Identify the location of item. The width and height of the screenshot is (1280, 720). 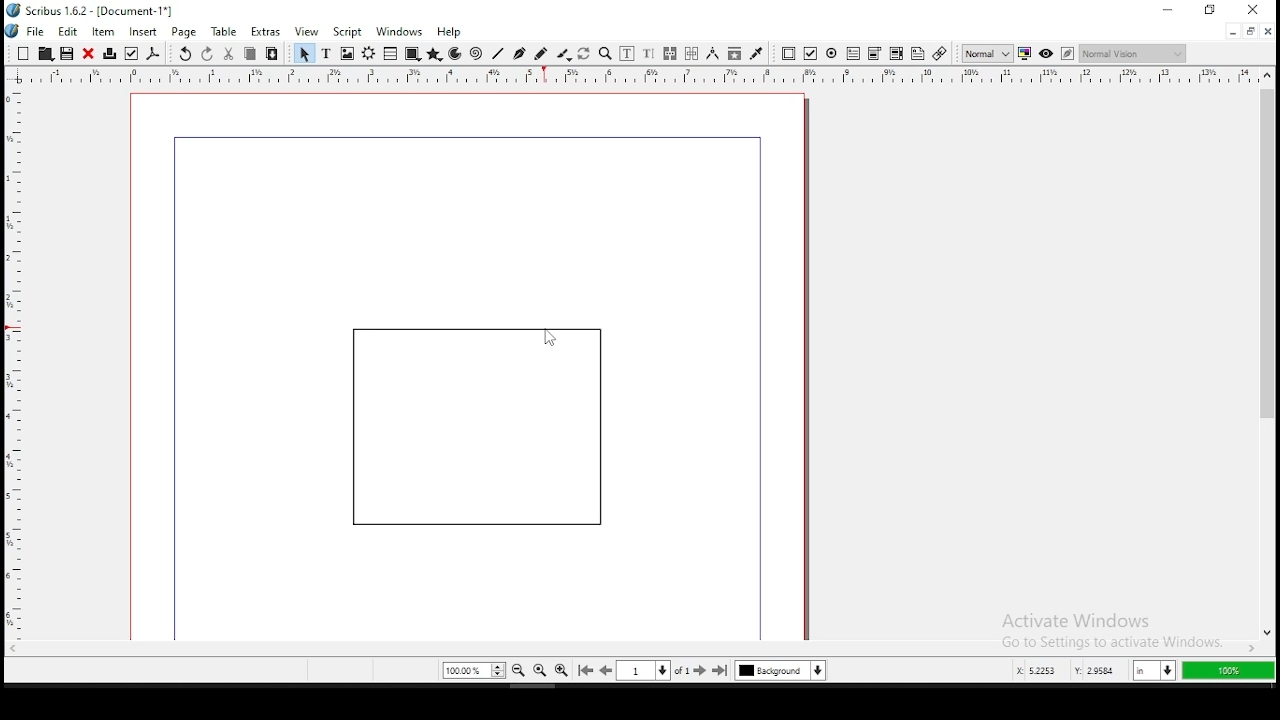
(103, 31).